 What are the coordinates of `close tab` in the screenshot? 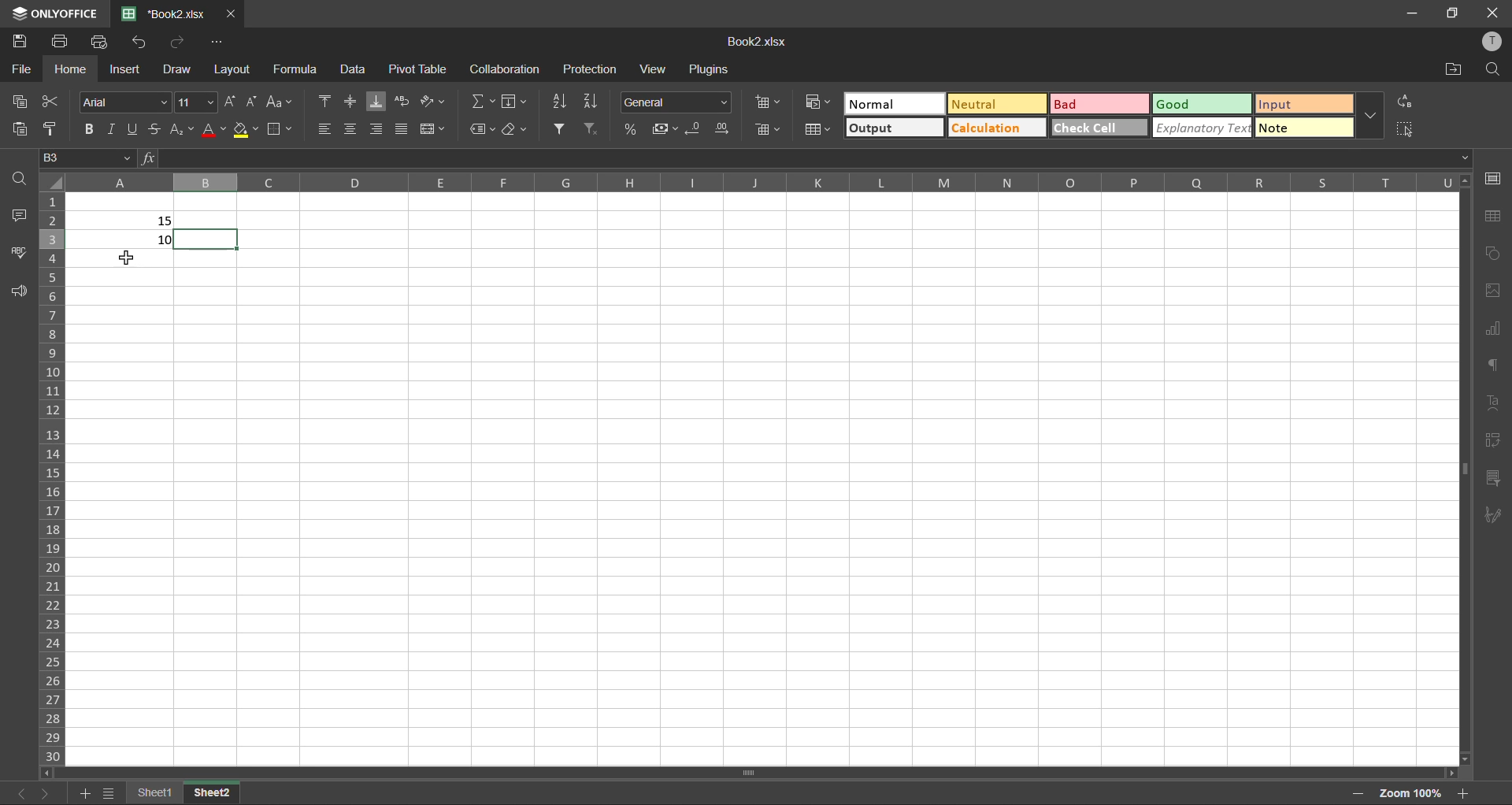 It's located at (230, 13).